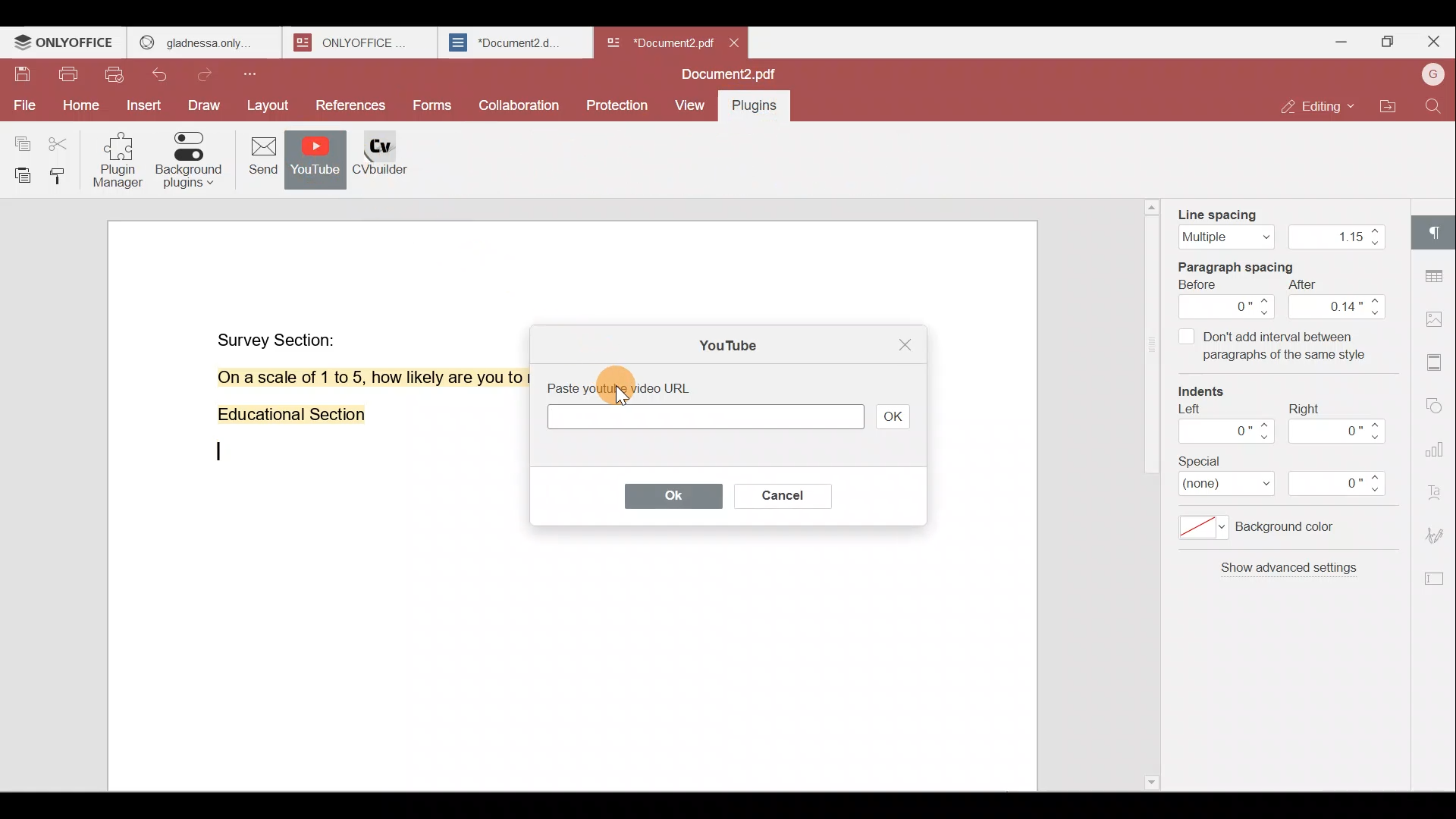 This screenshot has height=819, width=1456. I want to click on Send, so click(257, 158).